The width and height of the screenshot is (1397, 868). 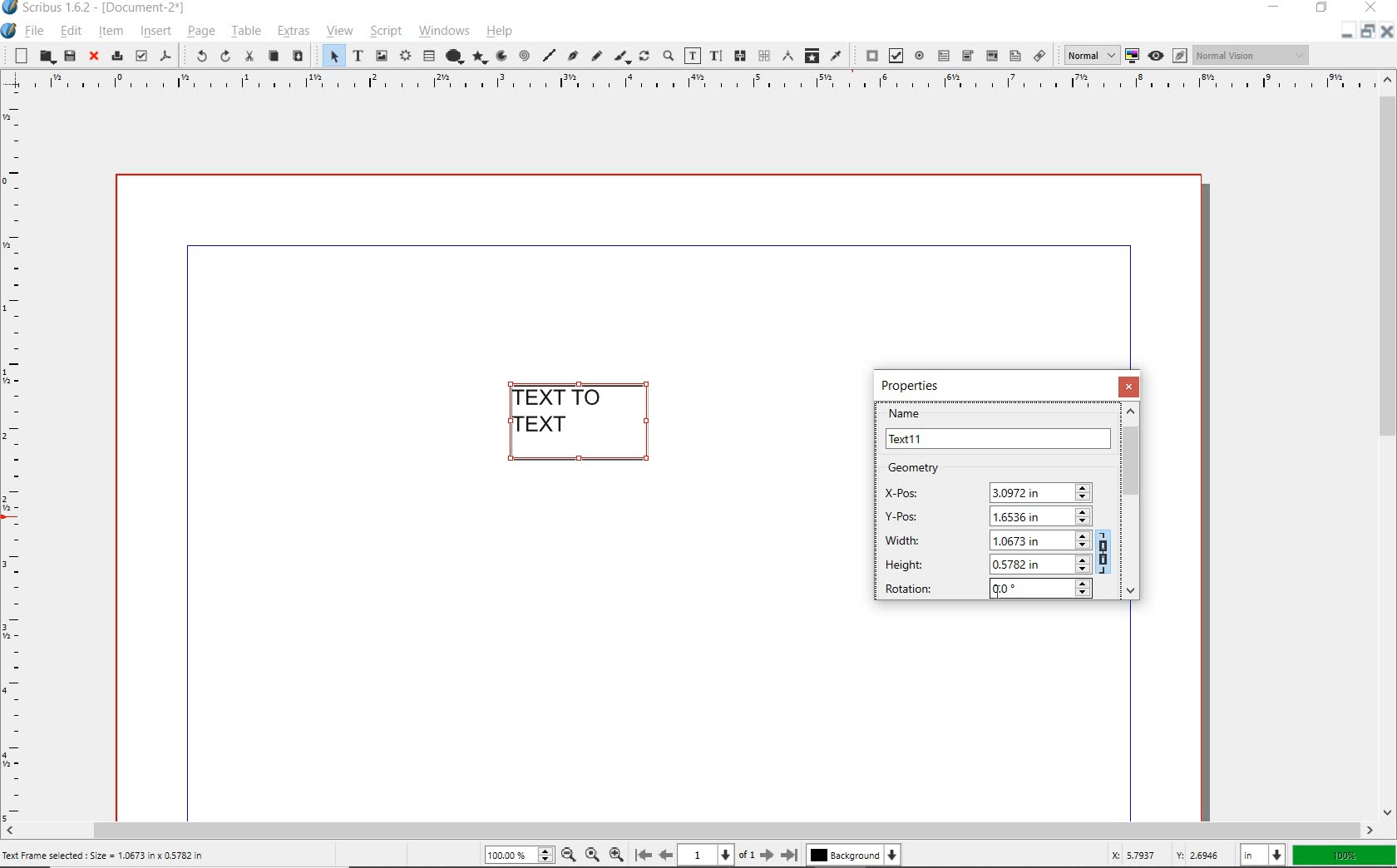 What do you see at coordinates (1168, 56) in the screenshot?
I see `preview mode` at bounding box center [1168, 56].